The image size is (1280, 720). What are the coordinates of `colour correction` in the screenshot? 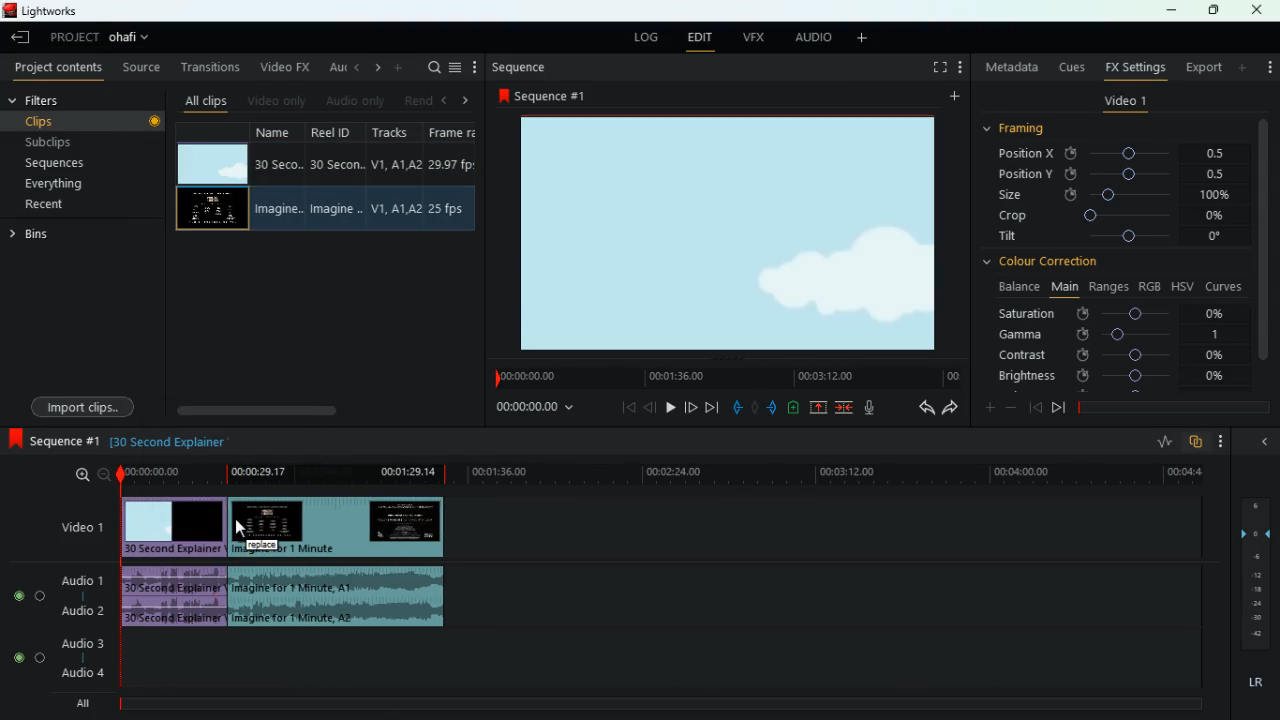 It's located at (1048, 261).